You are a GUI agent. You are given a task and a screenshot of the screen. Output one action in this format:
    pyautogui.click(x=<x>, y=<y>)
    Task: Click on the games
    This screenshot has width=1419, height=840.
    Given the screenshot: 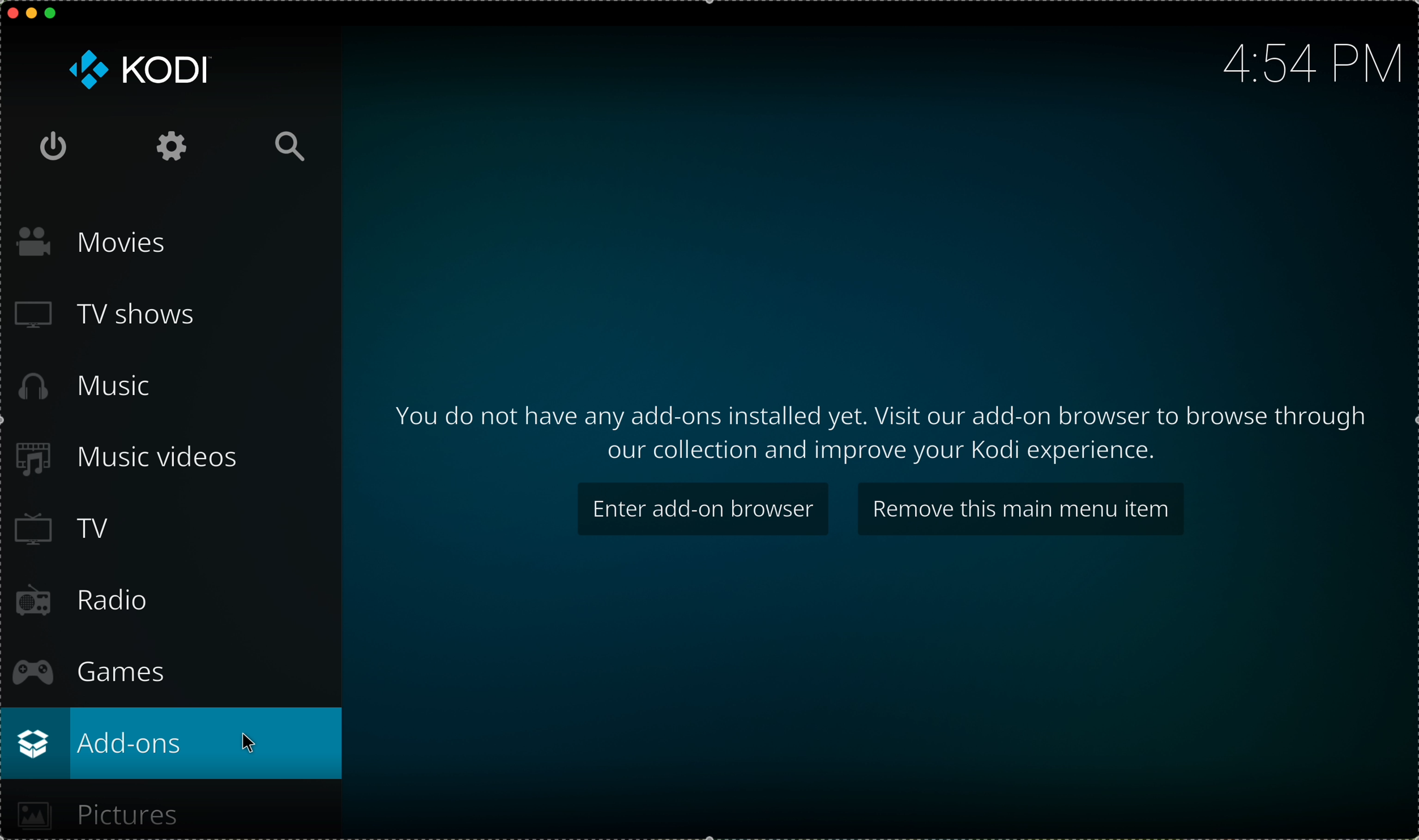 What is the action you would take?
    pyautogui.click(x=92, y=675)
    